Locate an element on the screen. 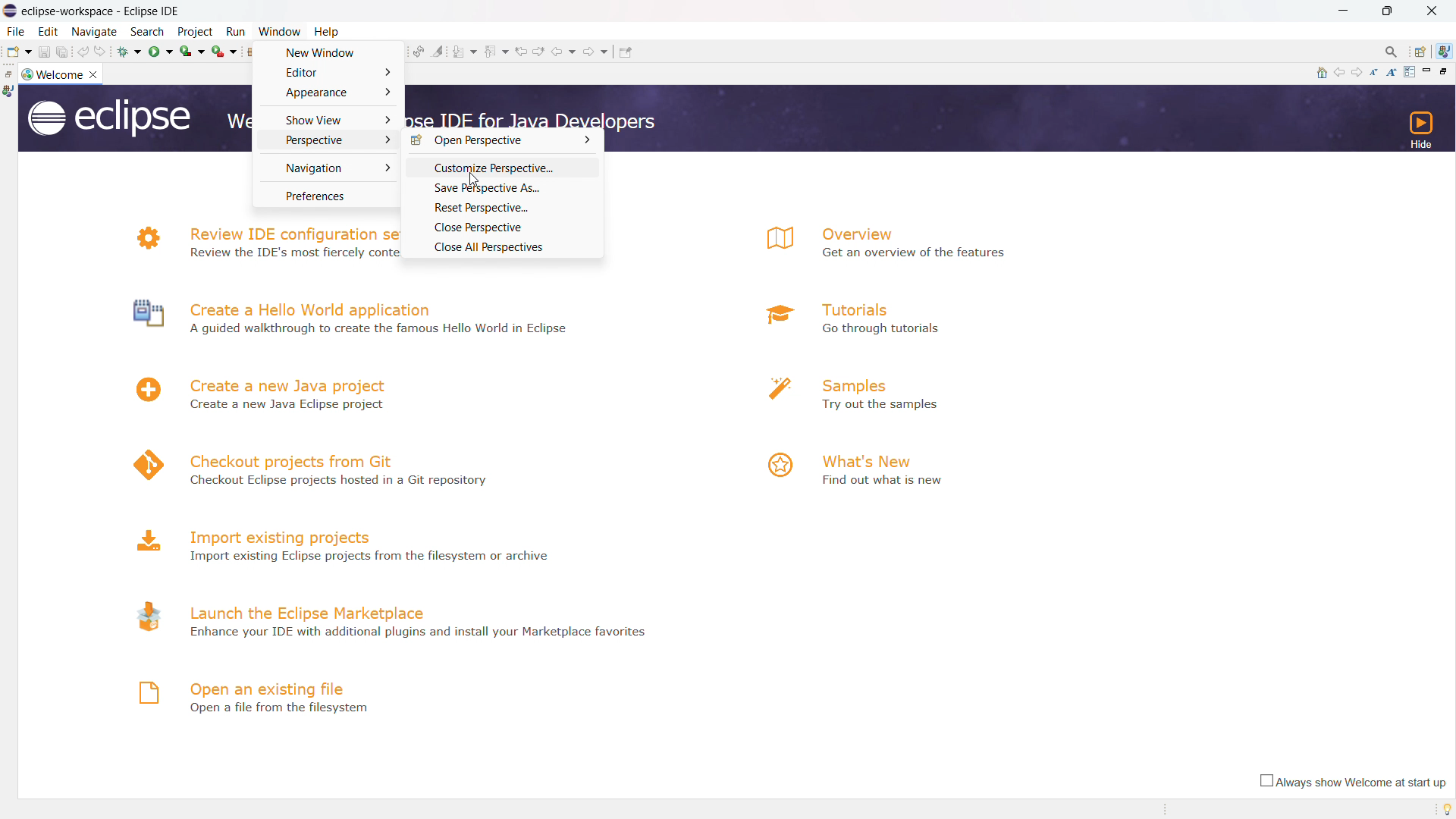 The width and height of the screenshot is (1456, 819). perspective is located at coordinates (326, 142).